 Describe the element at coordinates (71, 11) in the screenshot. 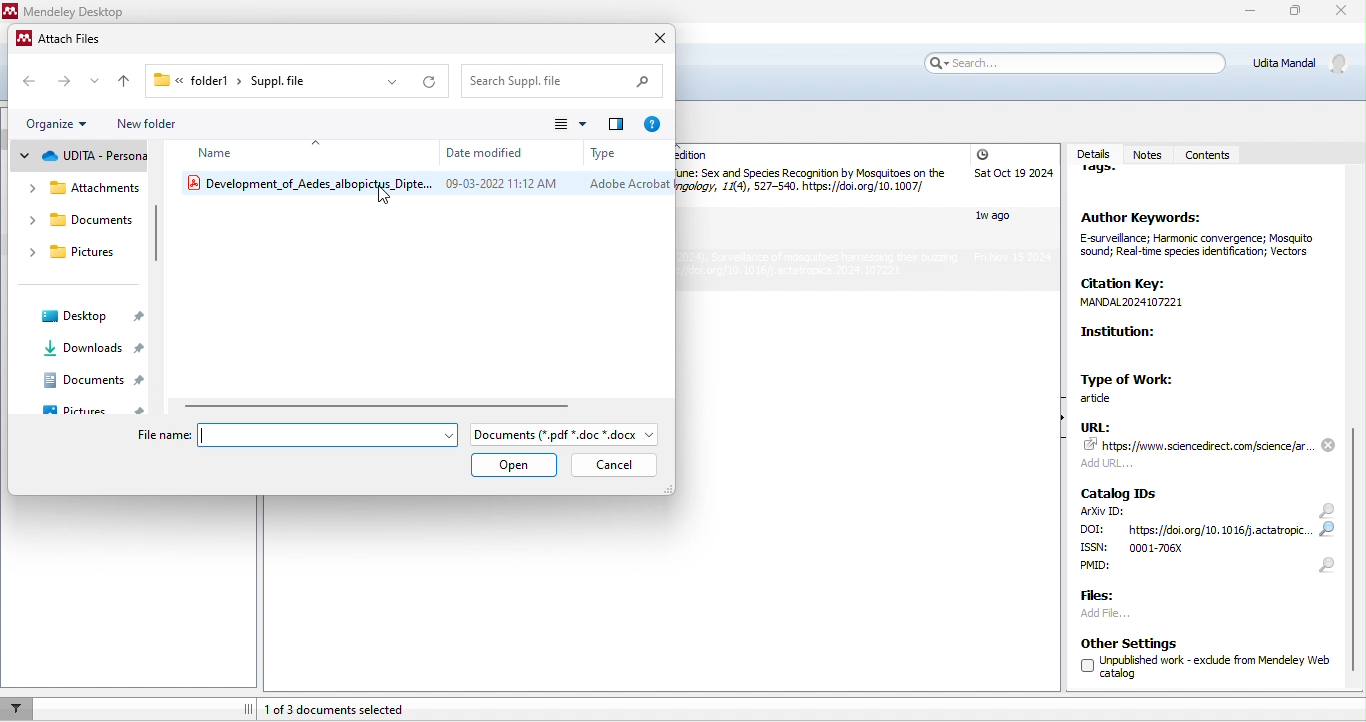

I see `Mendeley Desktop` at that location.